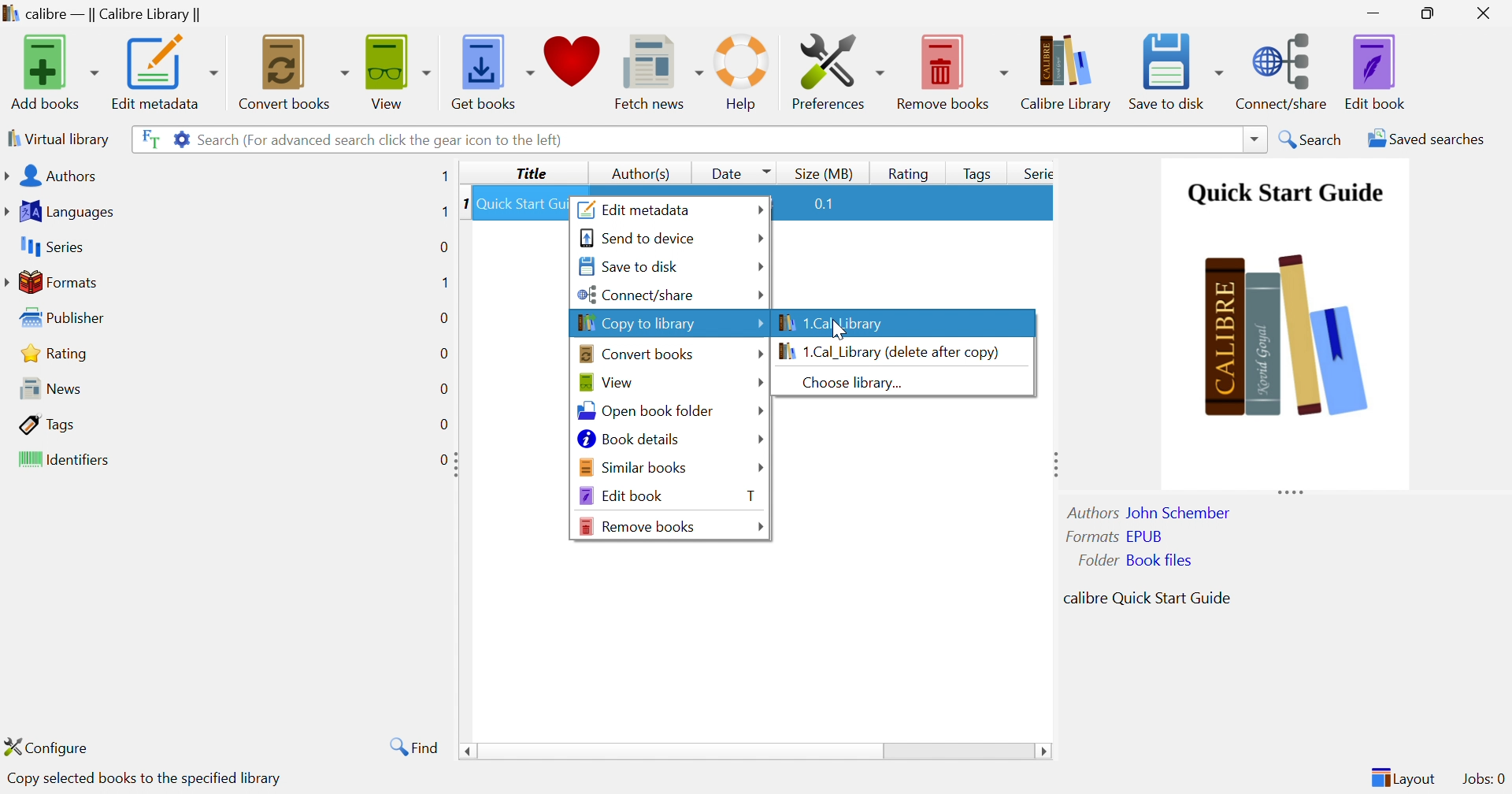 The width and height of the screenshot is (1512, 794). Describe the element at coordinates (1288, 339) in the screenshot. I see `Image` at that location.